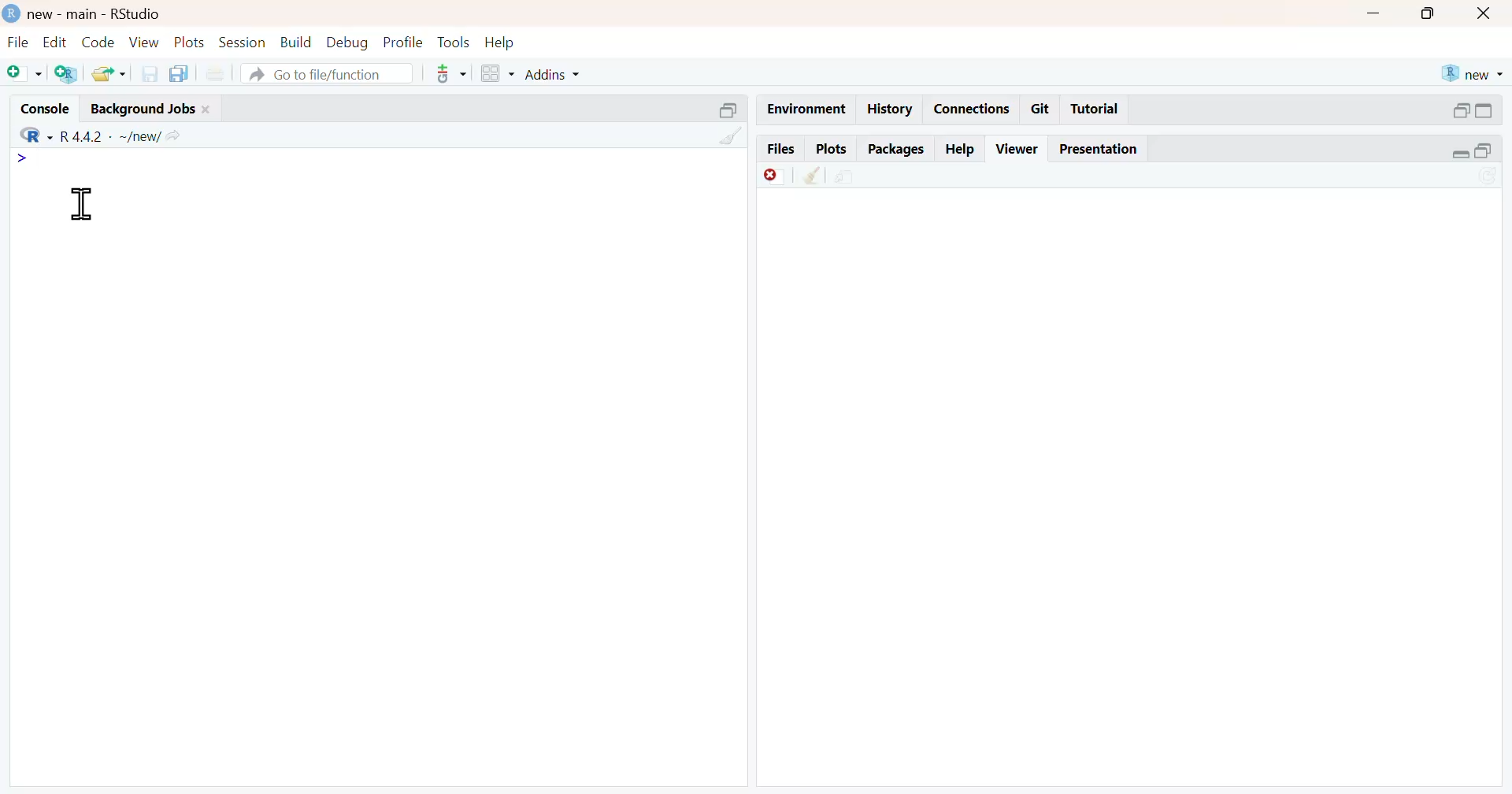 Image resolution: width=1512 pixels, height=794 pixels. Describe the element at coordinates (453, 41) in the screenshot. I see `tools` at that location.